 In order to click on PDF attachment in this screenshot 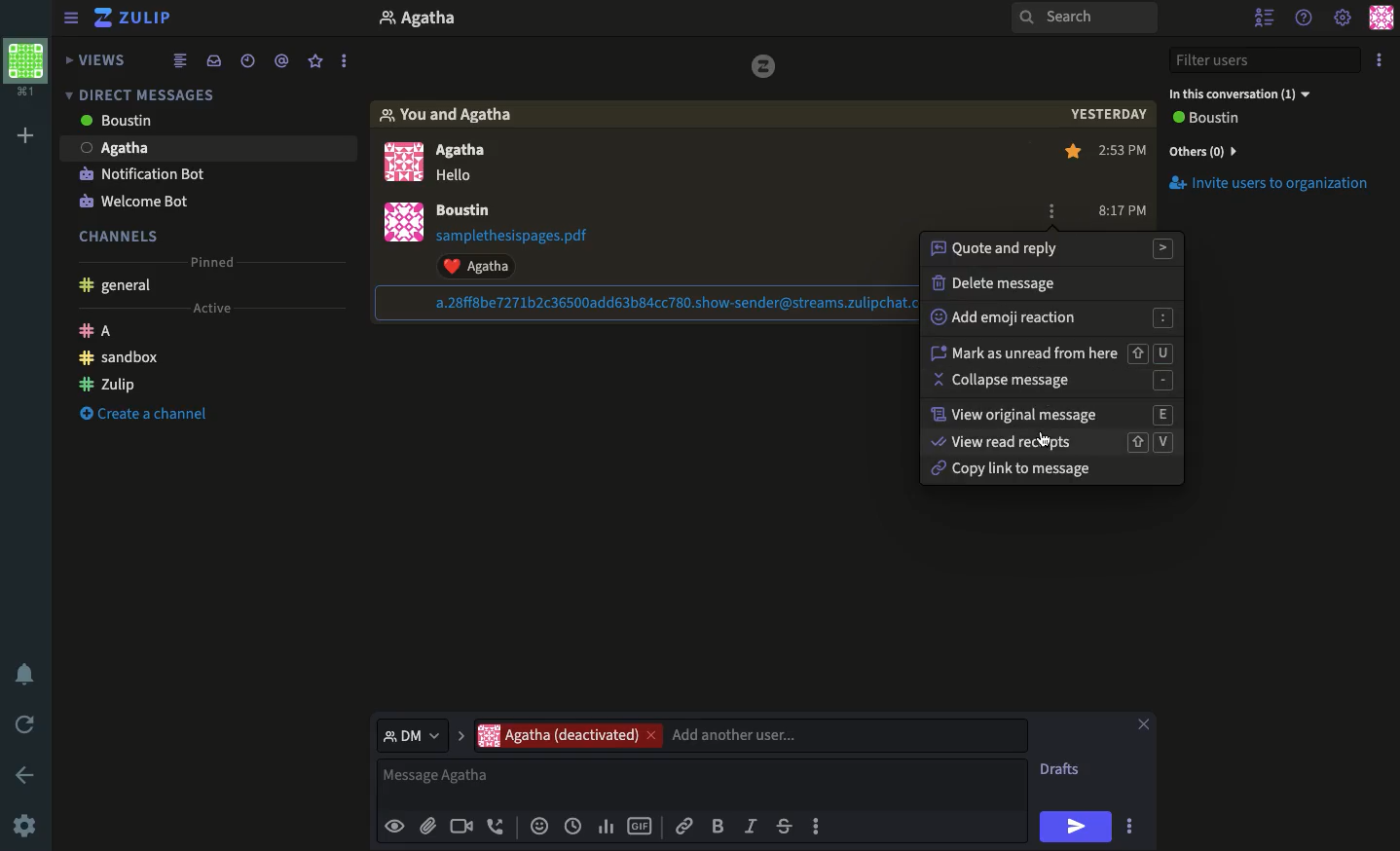, I will do `click(531, 236)`.